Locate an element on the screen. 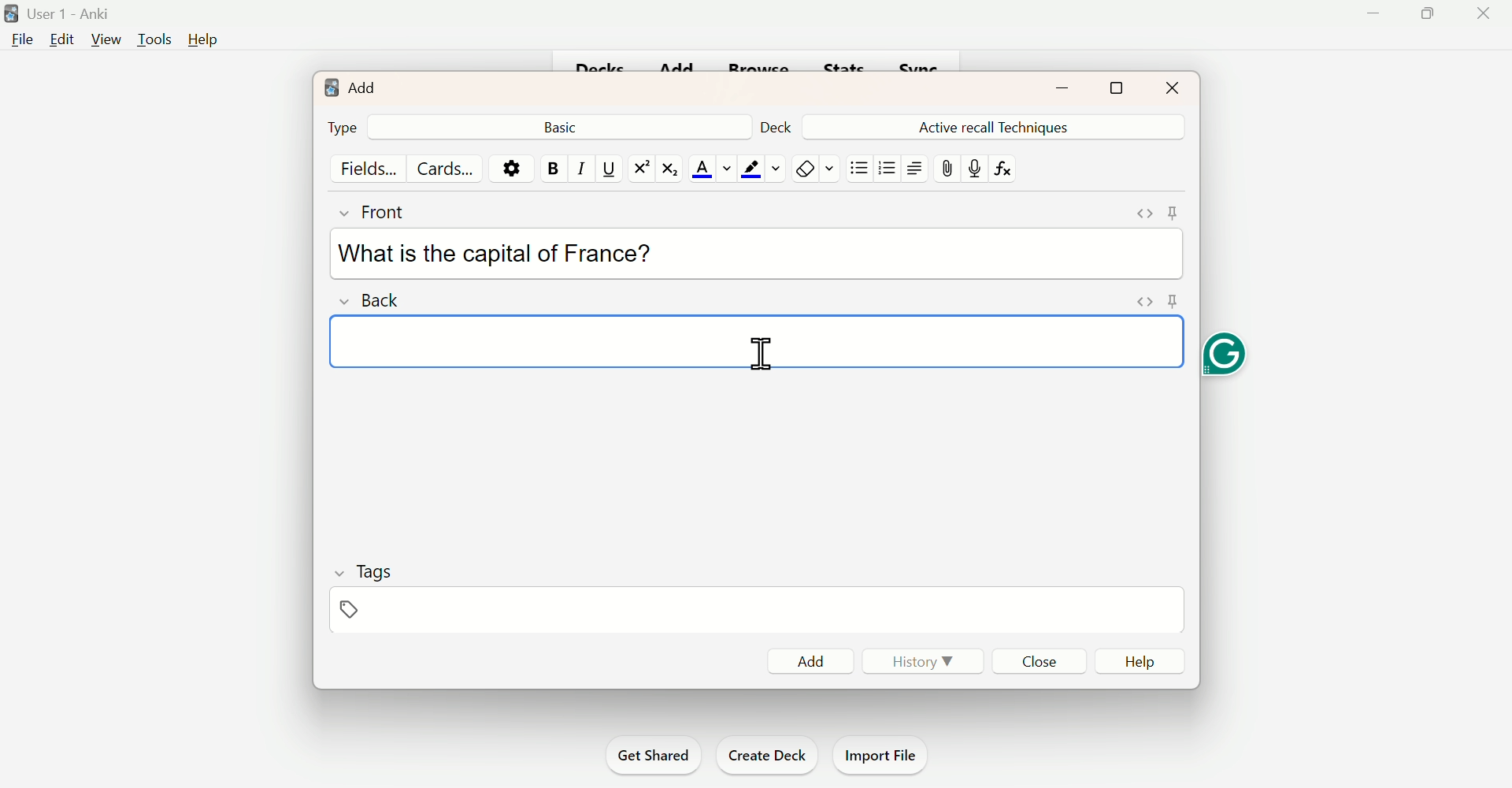 The height and width of the screenshot is (788, 1512). Edit is located at coordinates (61, 39).